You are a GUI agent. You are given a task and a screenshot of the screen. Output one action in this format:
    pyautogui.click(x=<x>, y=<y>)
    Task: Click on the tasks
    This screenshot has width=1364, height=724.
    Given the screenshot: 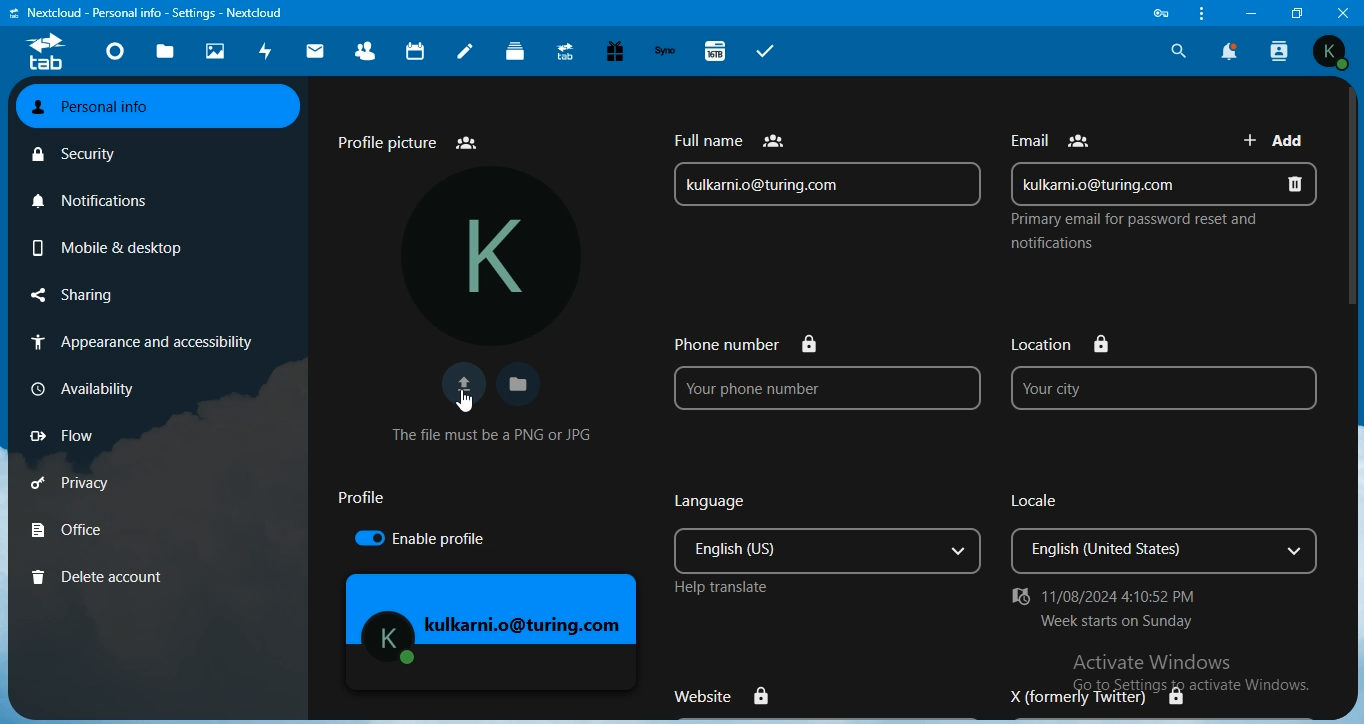 What is the action you would take?
    pyautogui.click(x=766, y=52)
    